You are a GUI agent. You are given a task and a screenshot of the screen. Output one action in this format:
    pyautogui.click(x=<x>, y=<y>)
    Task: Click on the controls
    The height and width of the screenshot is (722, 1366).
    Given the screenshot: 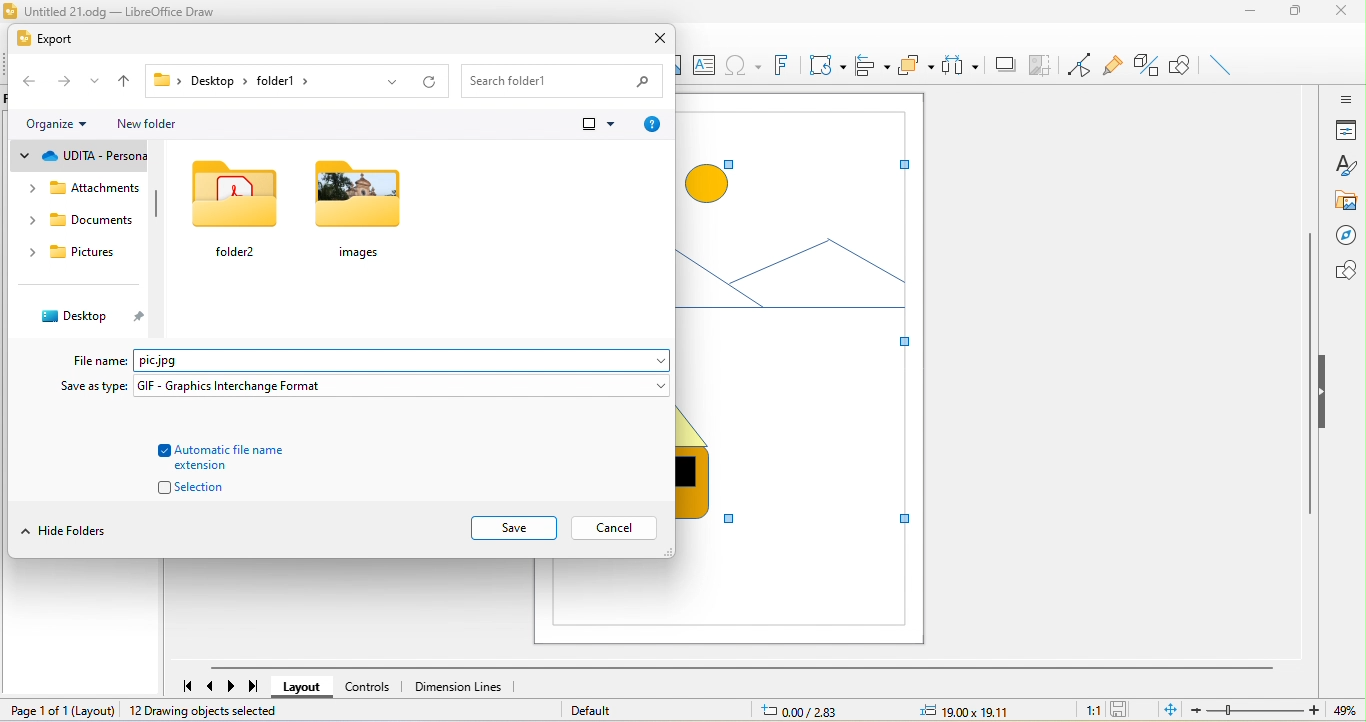 What is the action you would take?
    pyautogui.click(x=368, y=686)
    